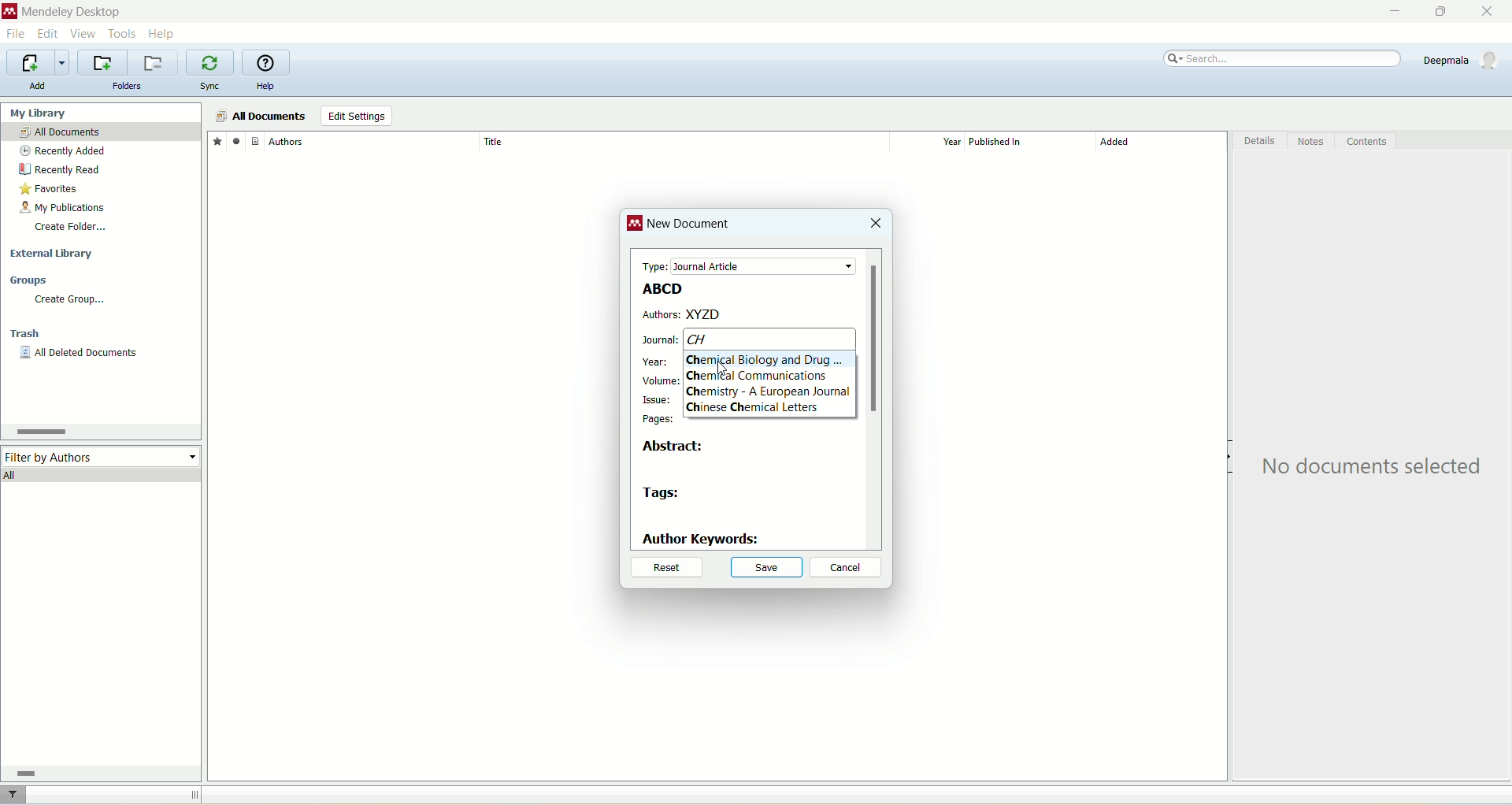  I want to click on my publication, so click(65, 209).